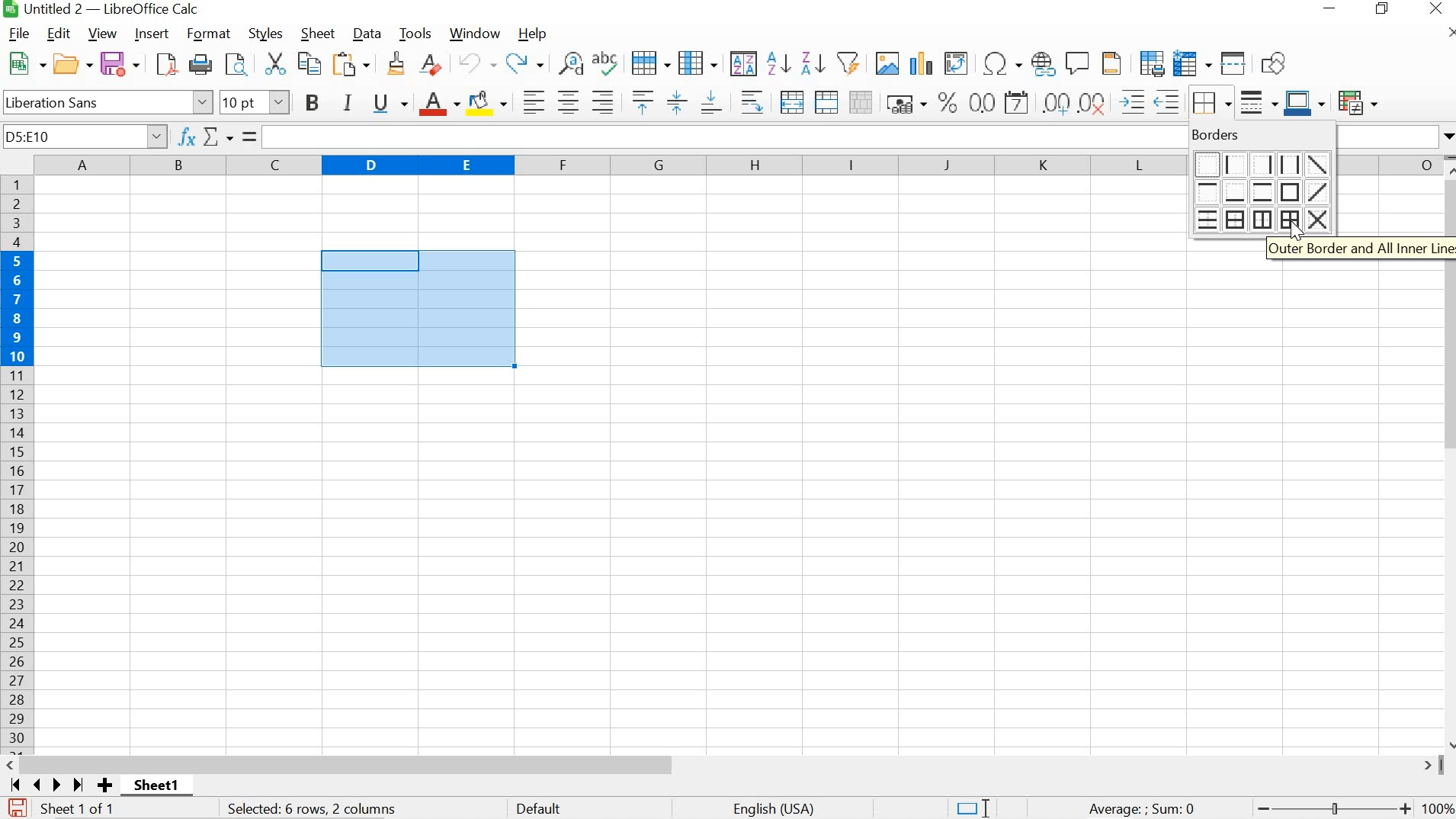 The image size is (1456, 819). I want to click on UNDO, so click(476, 63).